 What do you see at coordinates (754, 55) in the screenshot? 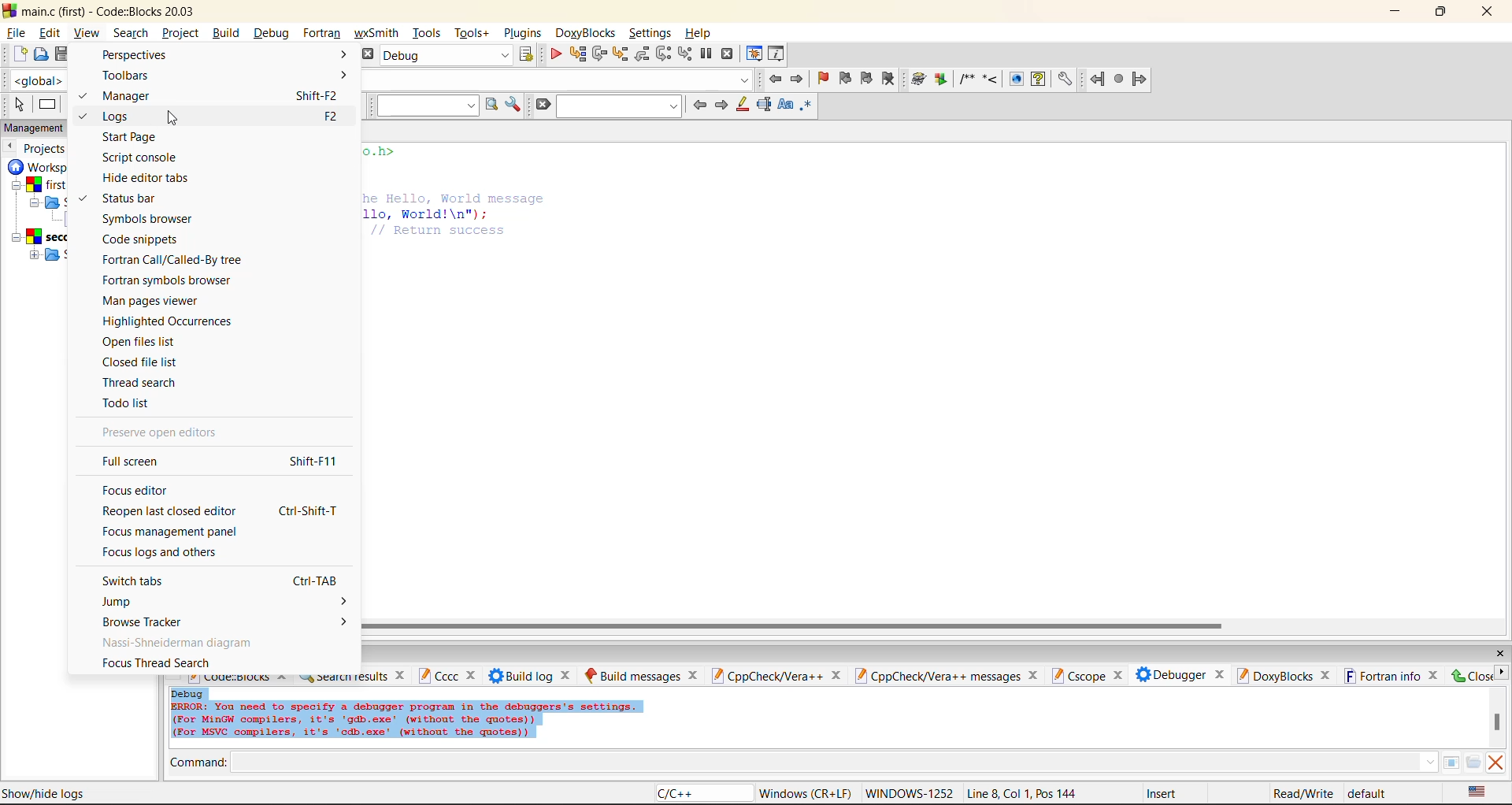
I see `debugging windows` at bounding box center [754, 55].